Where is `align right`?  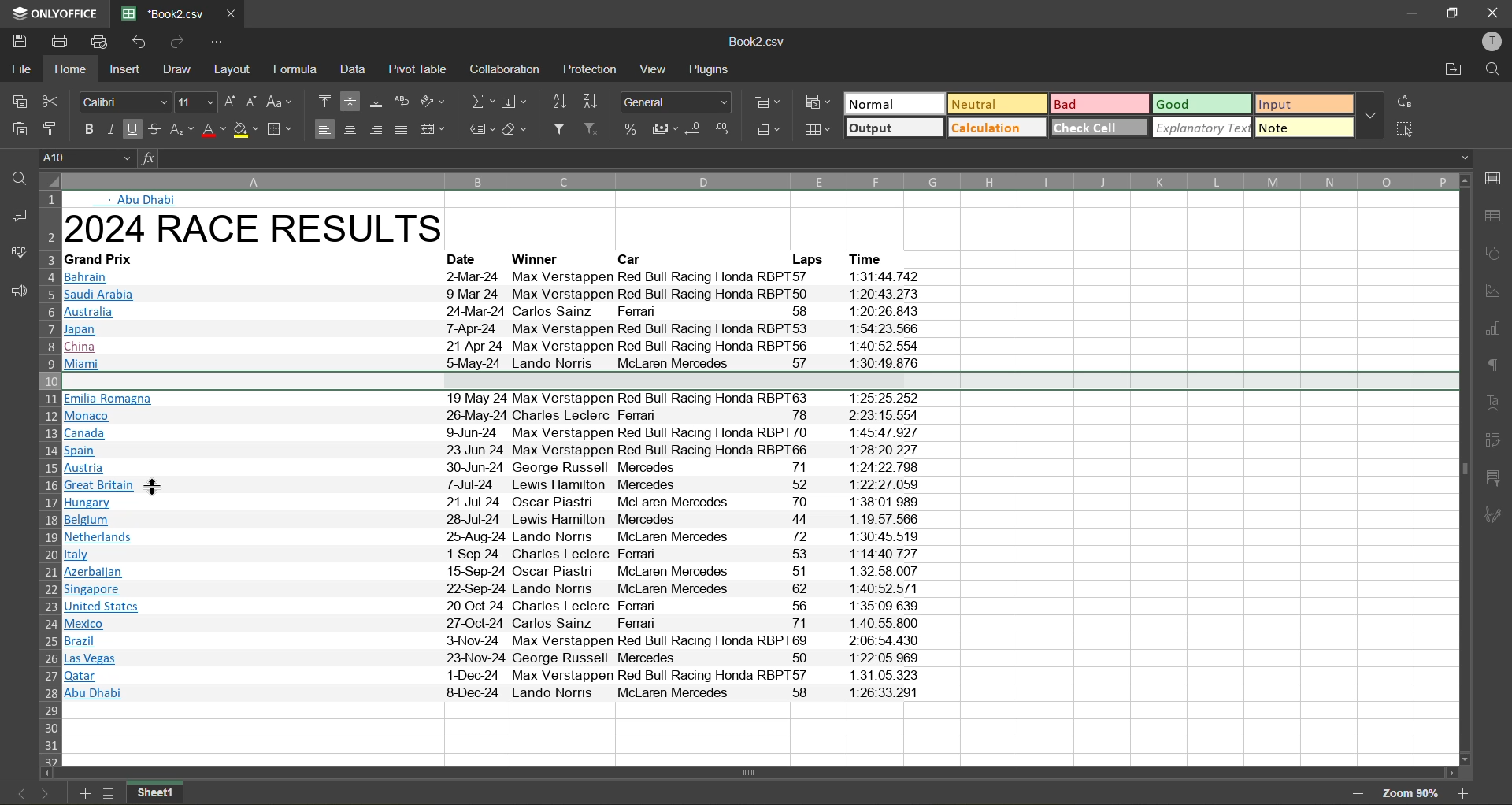
align right is located at coordinates (374, 129).